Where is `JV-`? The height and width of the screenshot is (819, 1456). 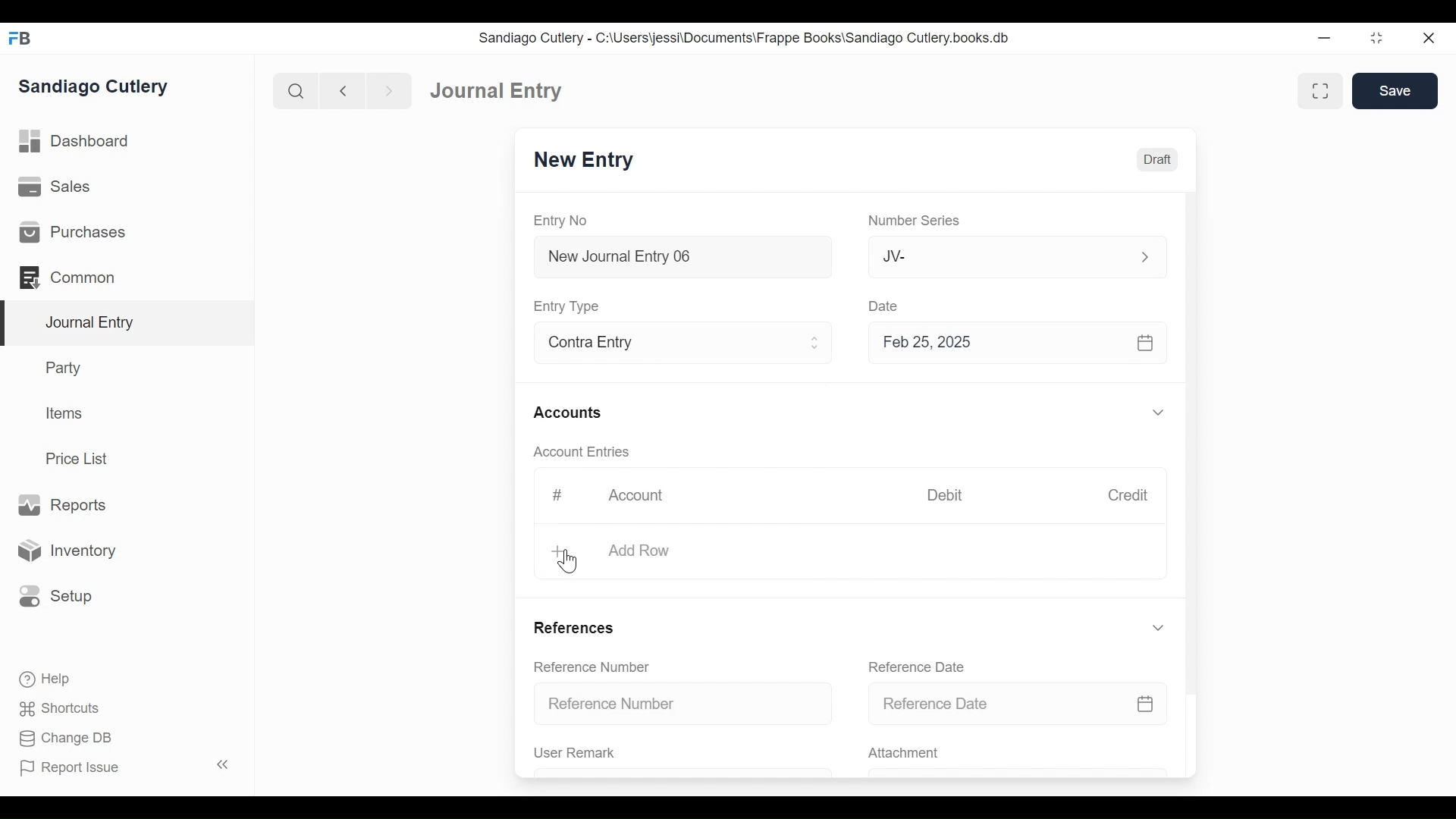
JV- is located at coordinates (999, 255).